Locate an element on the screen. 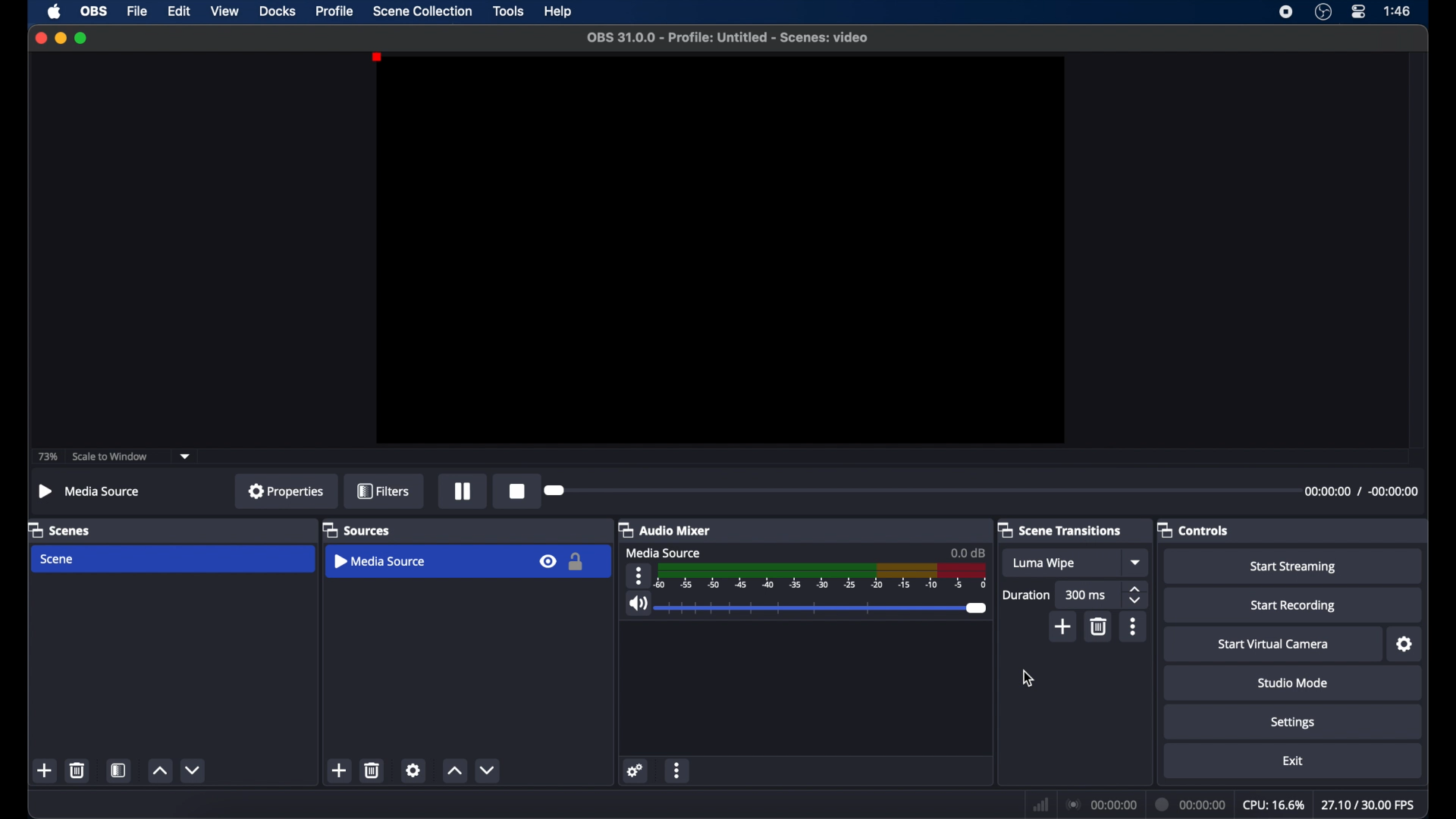 This screenshot has width=1456, height=819. volume is located at coordinates (638, 604).